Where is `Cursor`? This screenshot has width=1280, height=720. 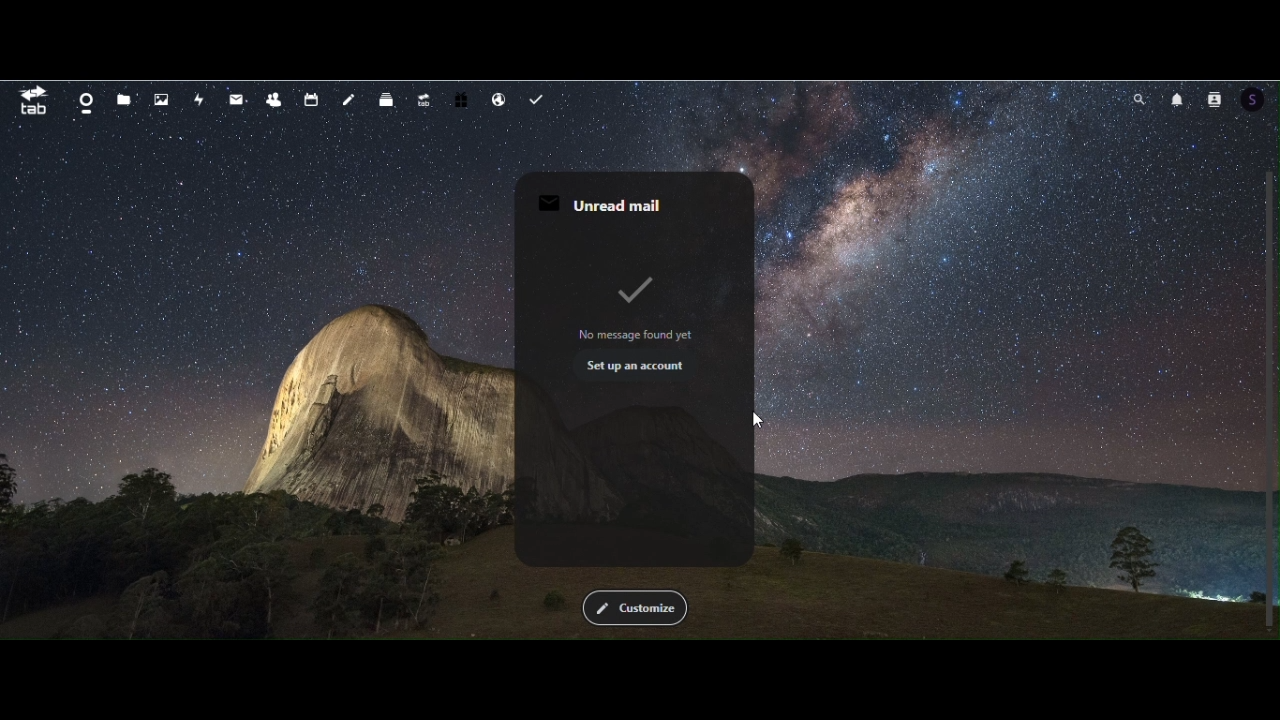 Cursor is located at coordinates (763, 420).